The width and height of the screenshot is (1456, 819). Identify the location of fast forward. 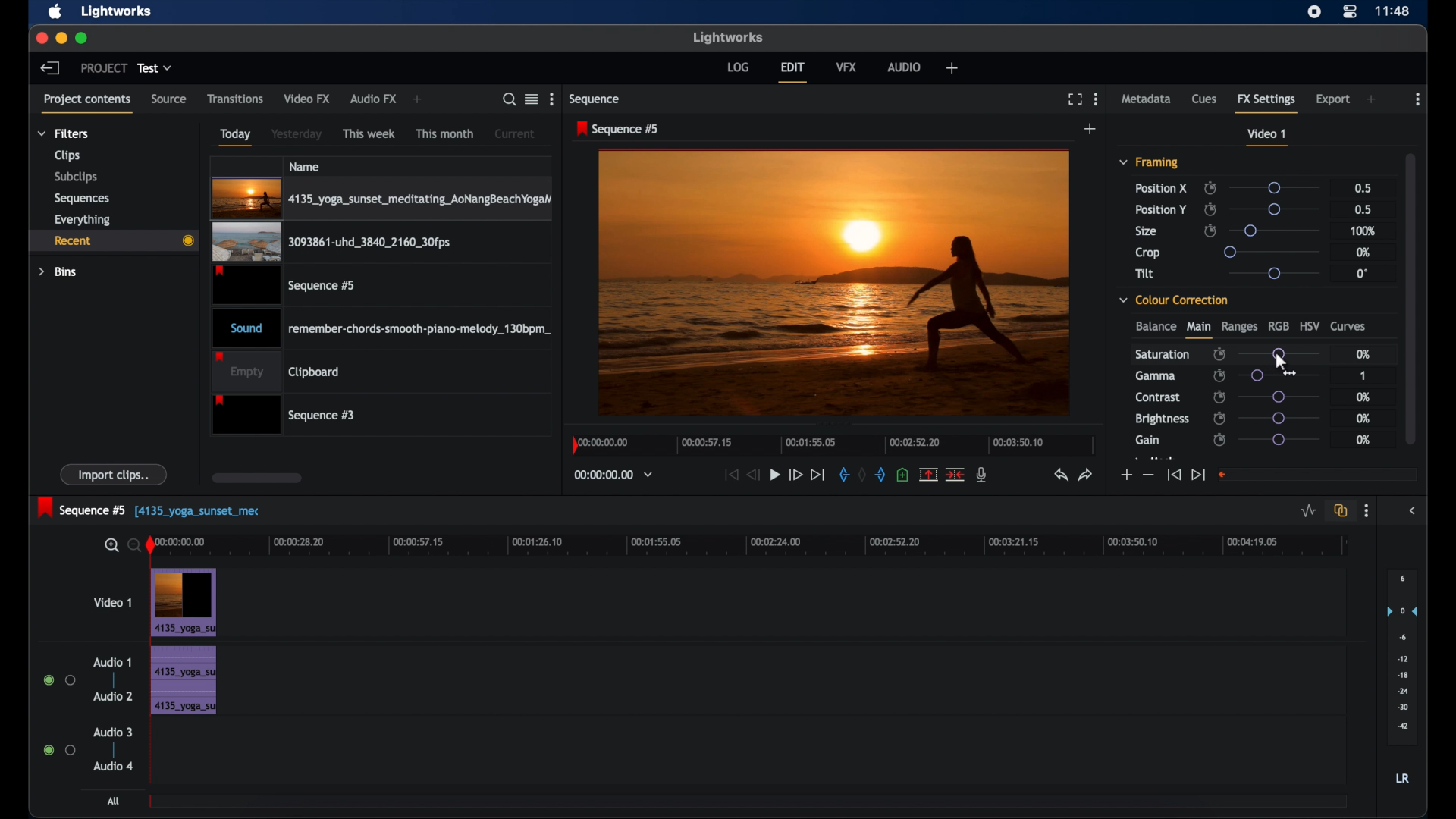
(795, 475).